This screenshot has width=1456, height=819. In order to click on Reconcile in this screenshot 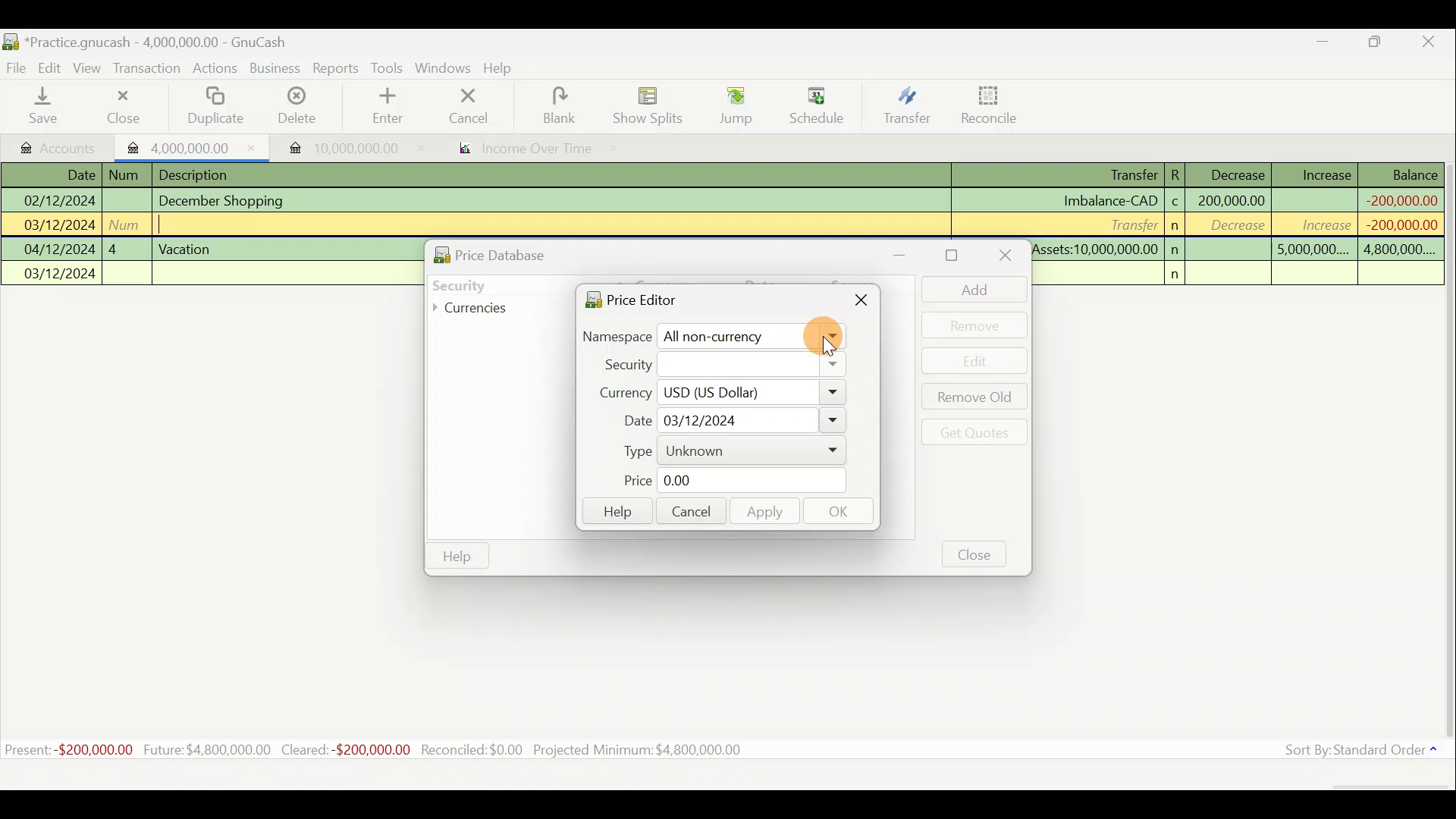, I will do `click(984, 105)`.